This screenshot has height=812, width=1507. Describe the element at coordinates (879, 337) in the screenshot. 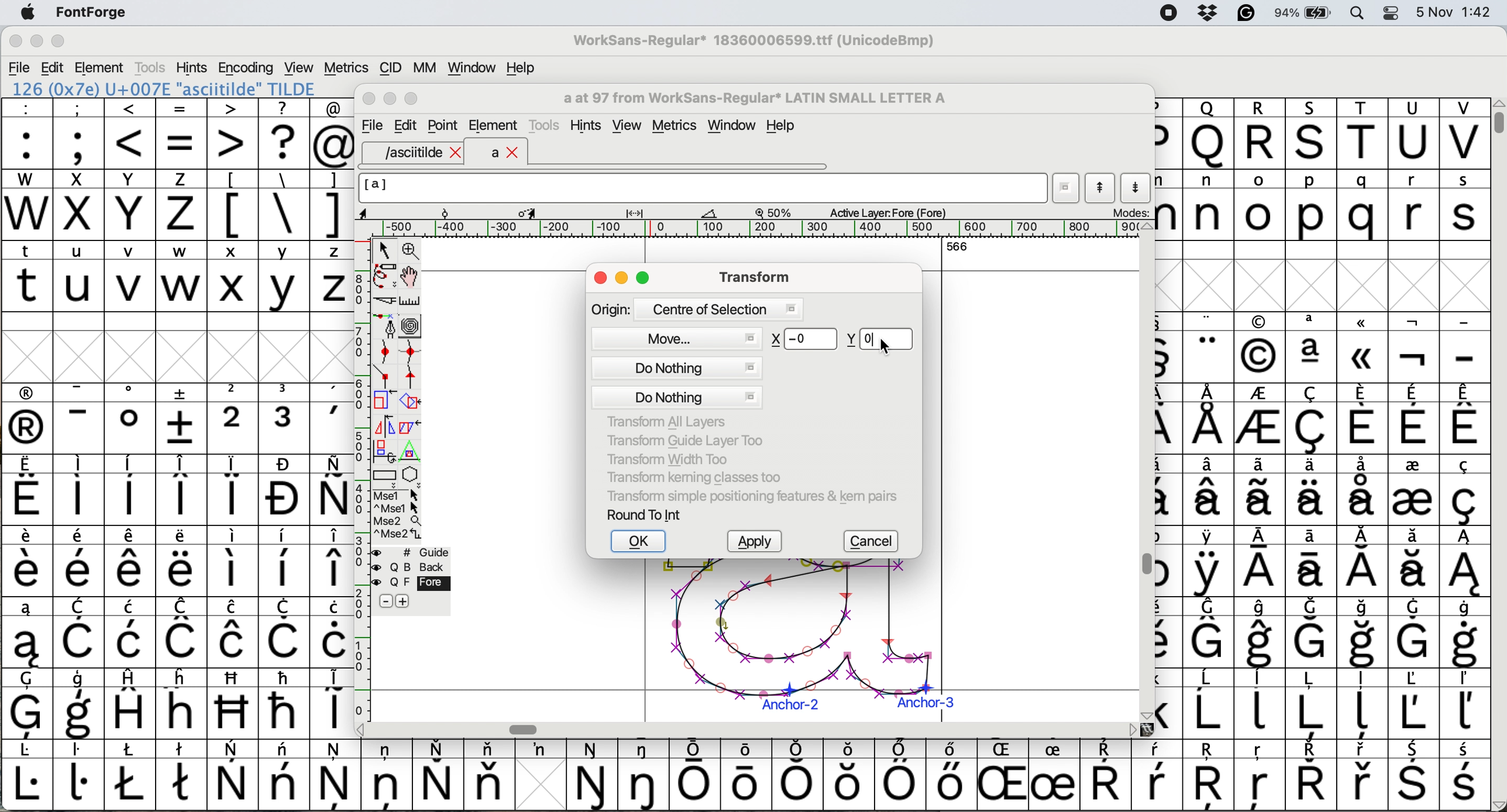

I see `enter new y value` at that location.